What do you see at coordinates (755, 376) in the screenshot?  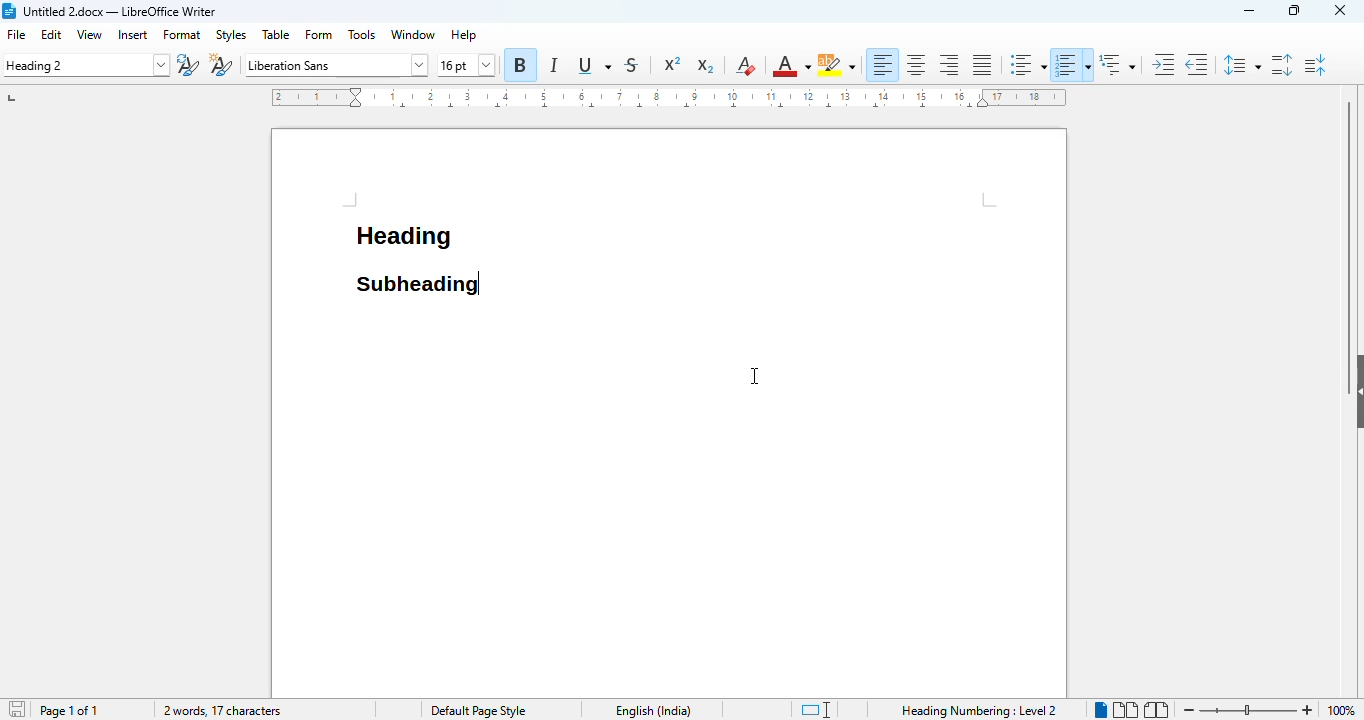 I see `cursor` at bounding box center [755, 376].